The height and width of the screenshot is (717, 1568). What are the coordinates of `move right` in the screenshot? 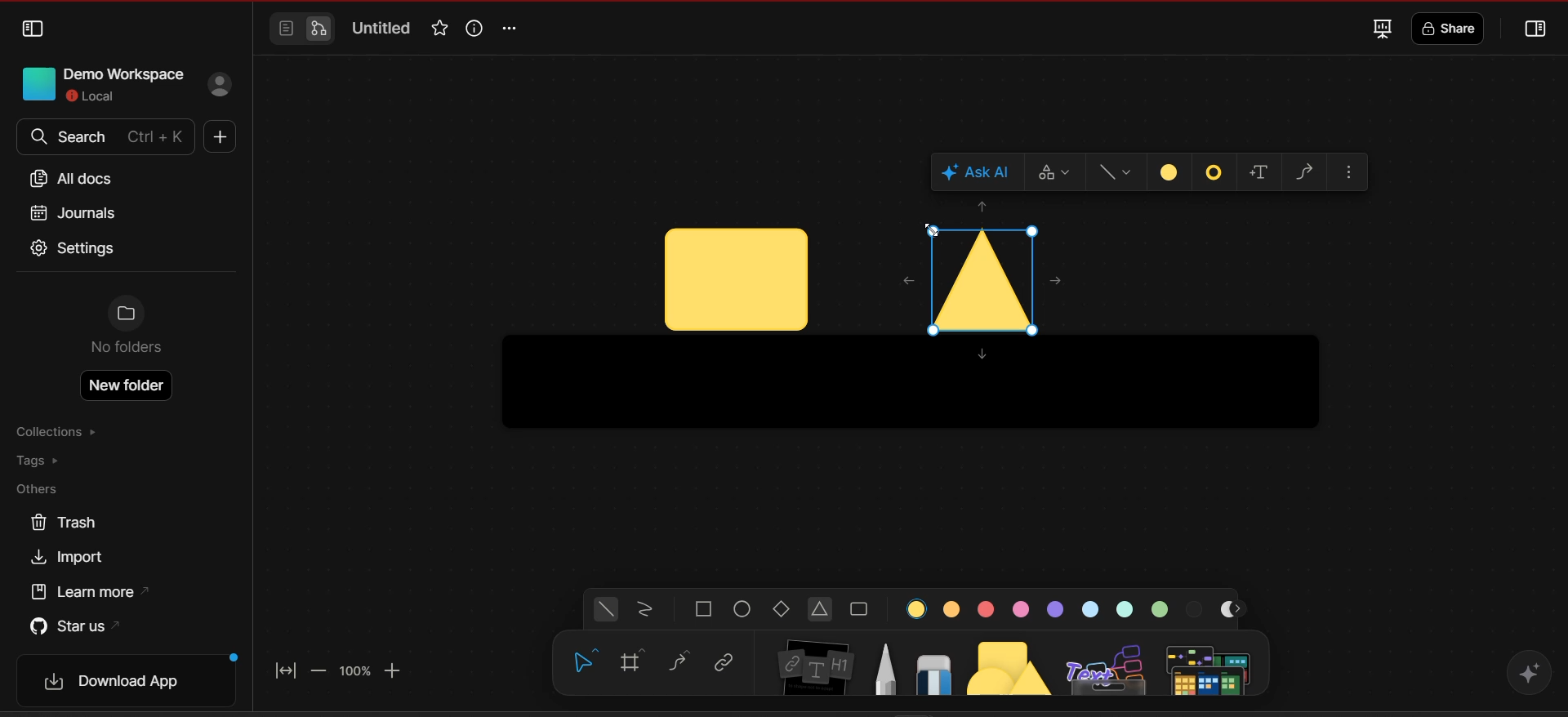 It's located at (1241, 609).